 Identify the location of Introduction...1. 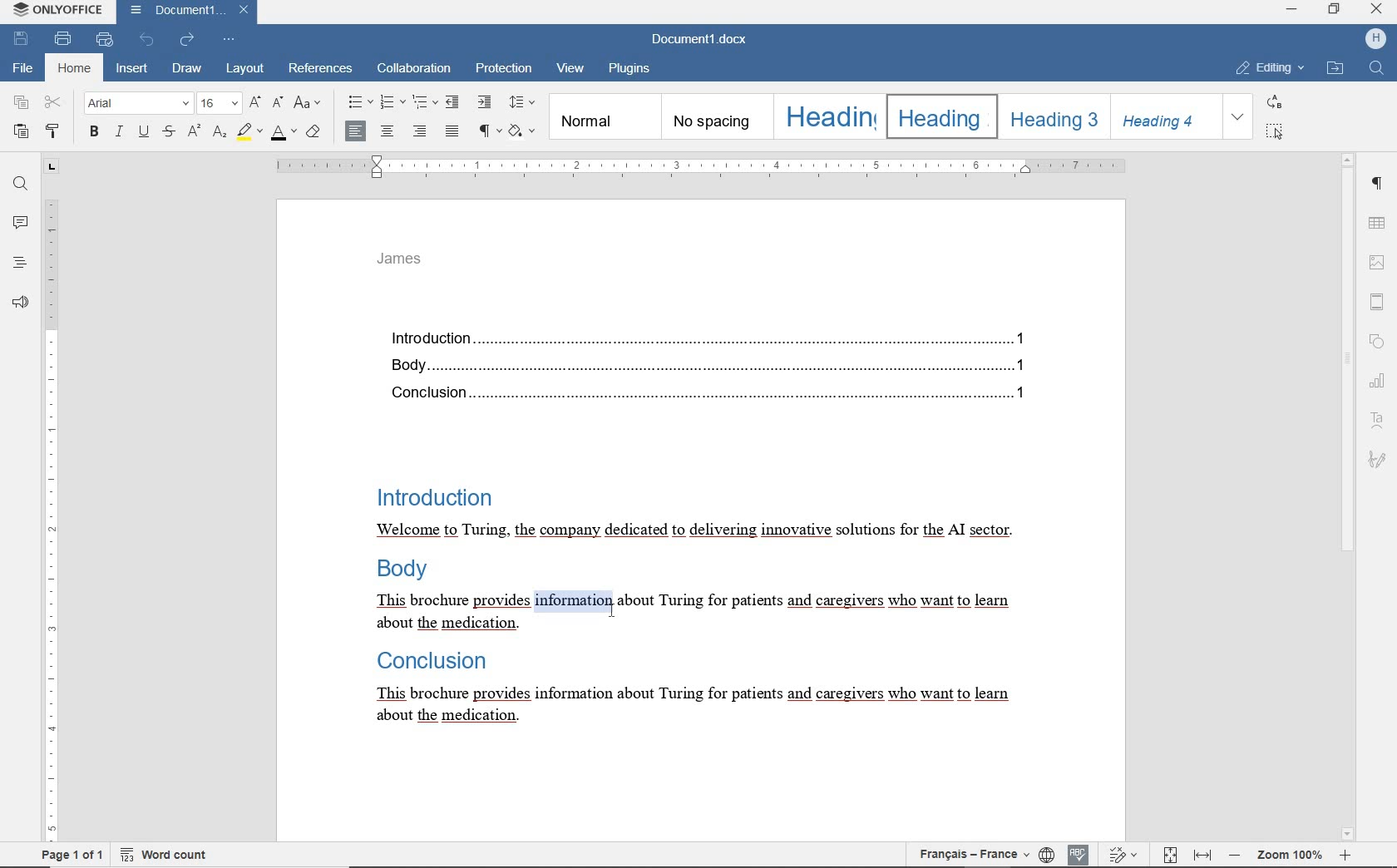
(703, 335).